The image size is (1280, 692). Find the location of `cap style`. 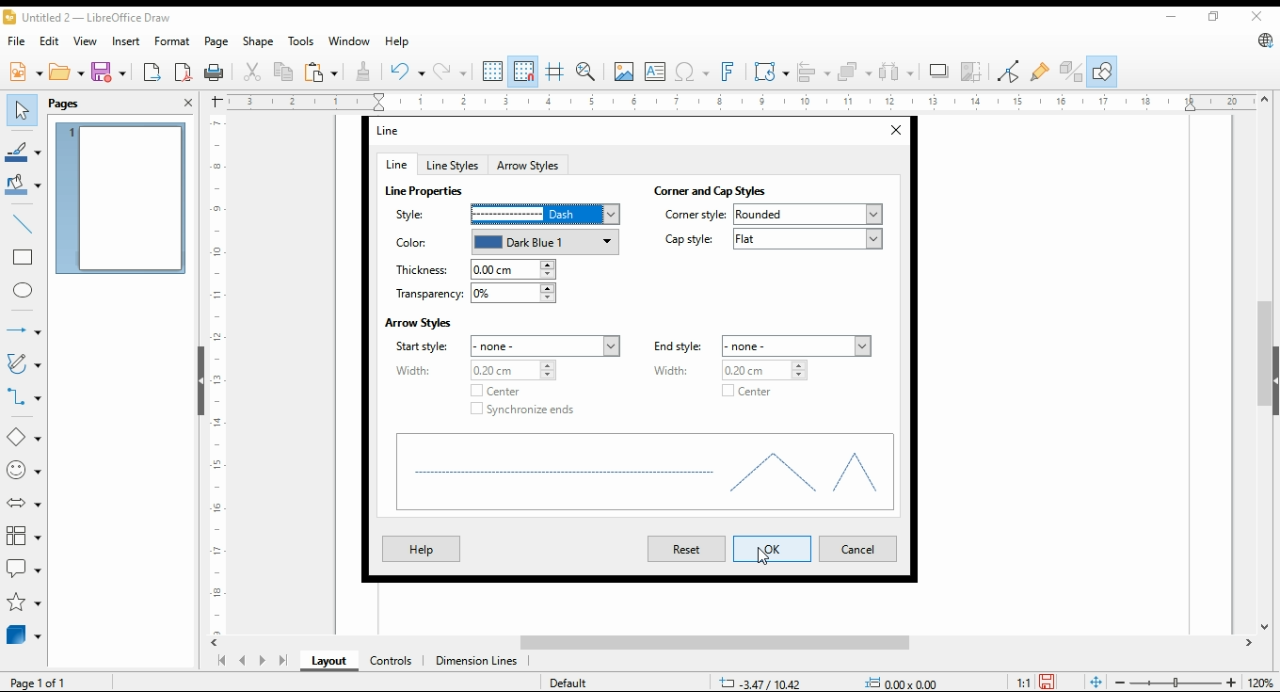

cap style is located at coordinates (773, 239).